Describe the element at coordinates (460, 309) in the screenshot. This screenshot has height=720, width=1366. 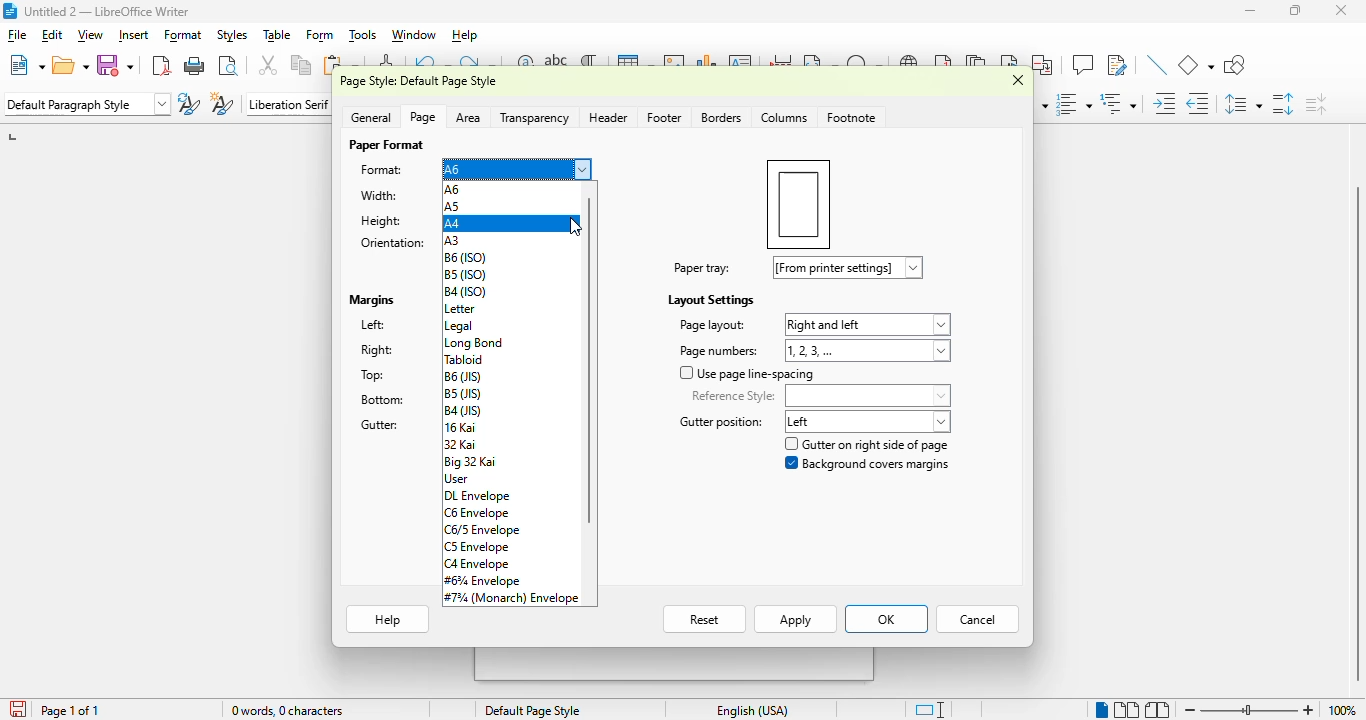
I see `Letter` at that location.